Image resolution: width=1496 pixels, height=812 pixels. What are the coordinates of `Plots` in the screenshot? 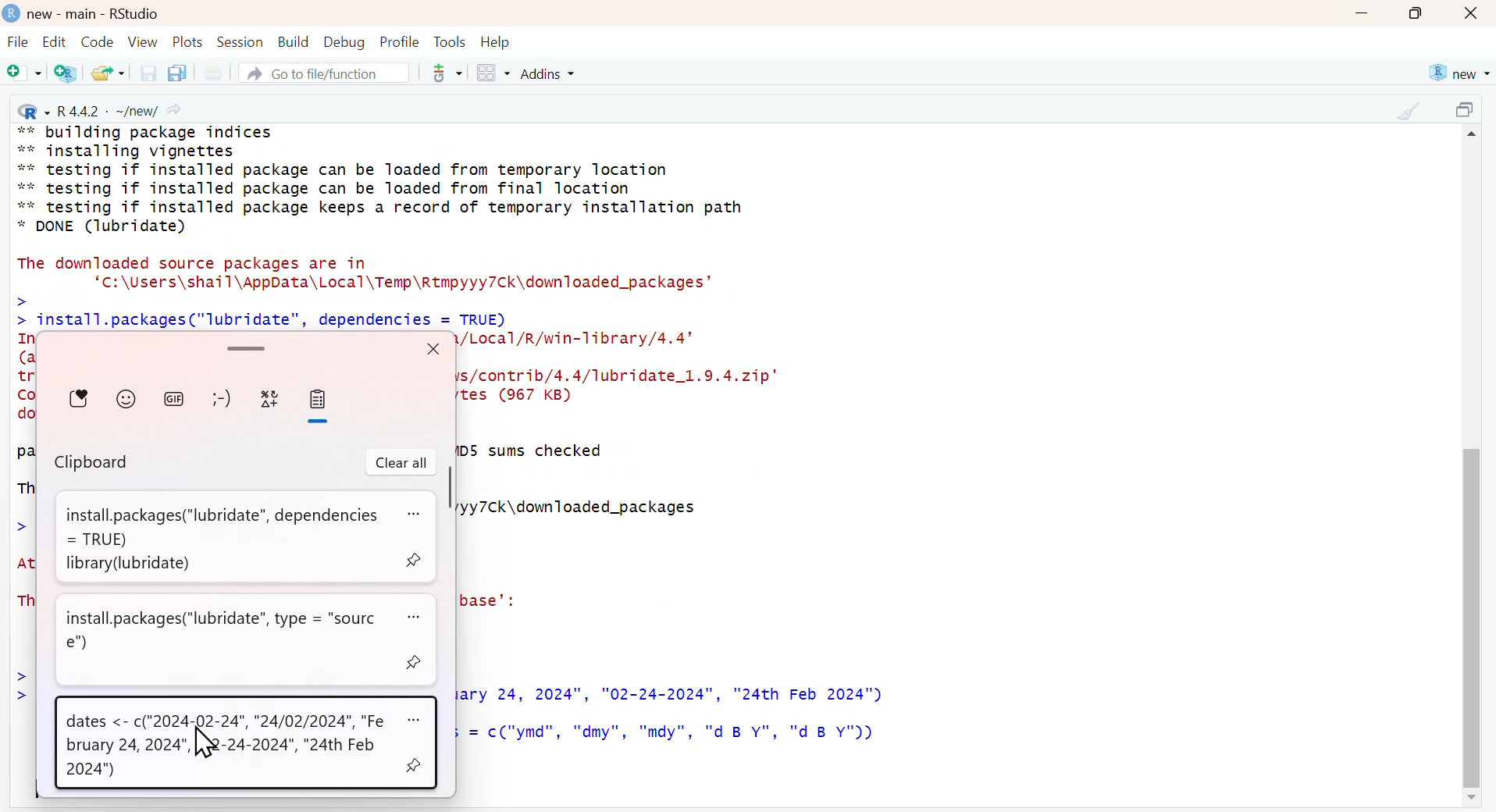 It's located at (188, 41).